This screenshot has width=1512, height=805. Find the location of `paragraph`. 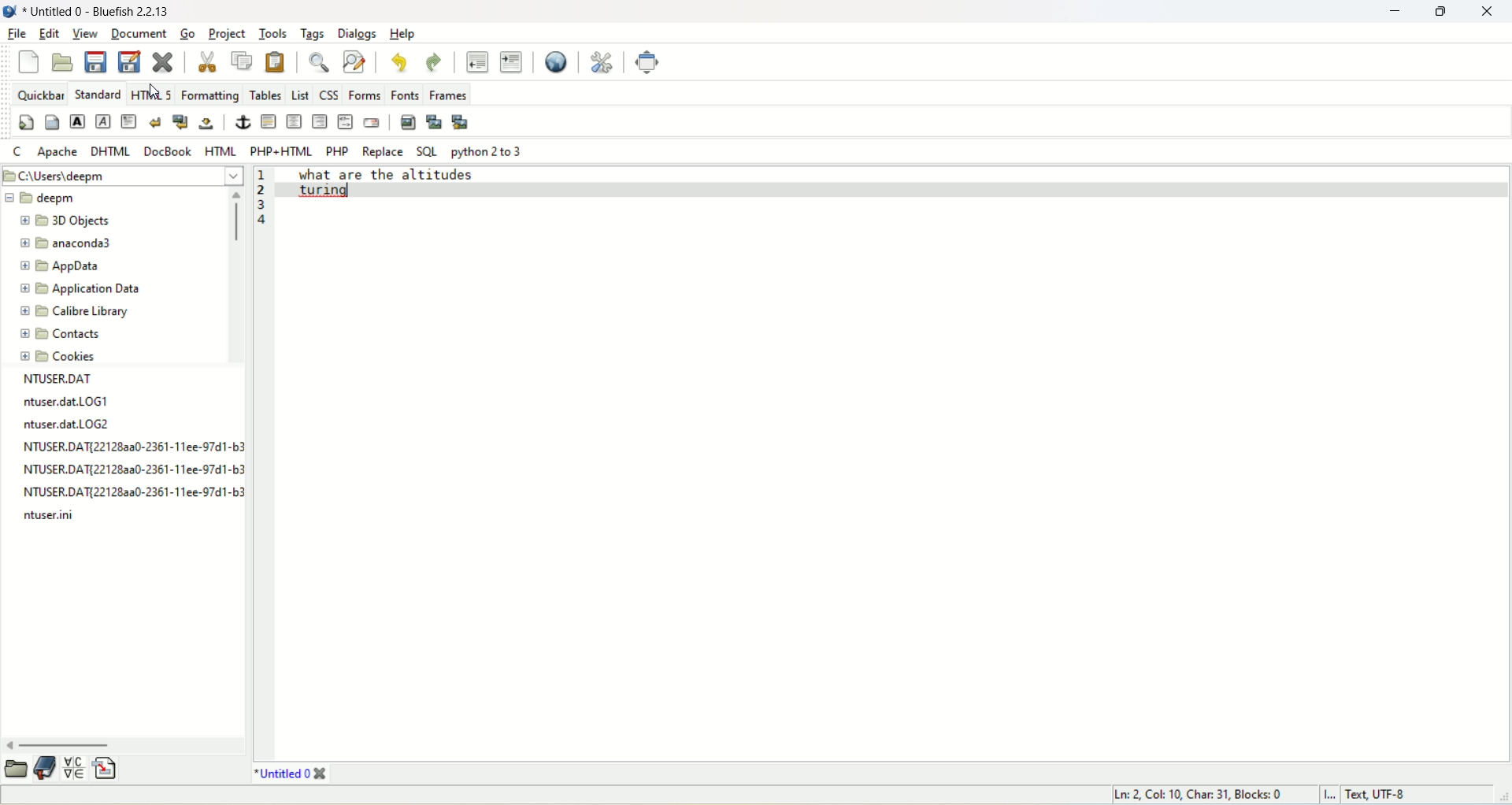

paragraph is located at coordinates (128, 121).